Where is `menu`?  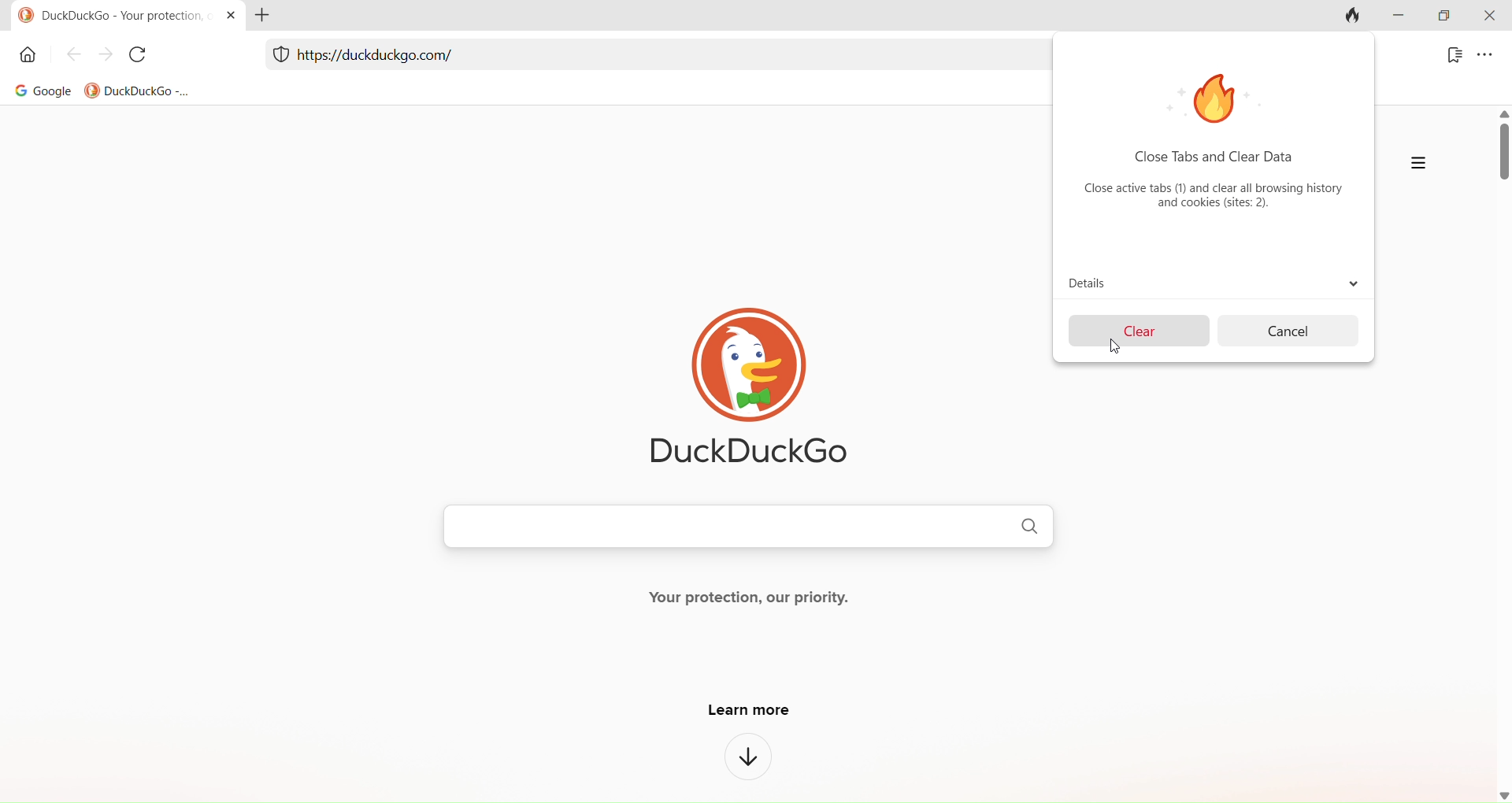
menu is located at coordinates (1489, 58).